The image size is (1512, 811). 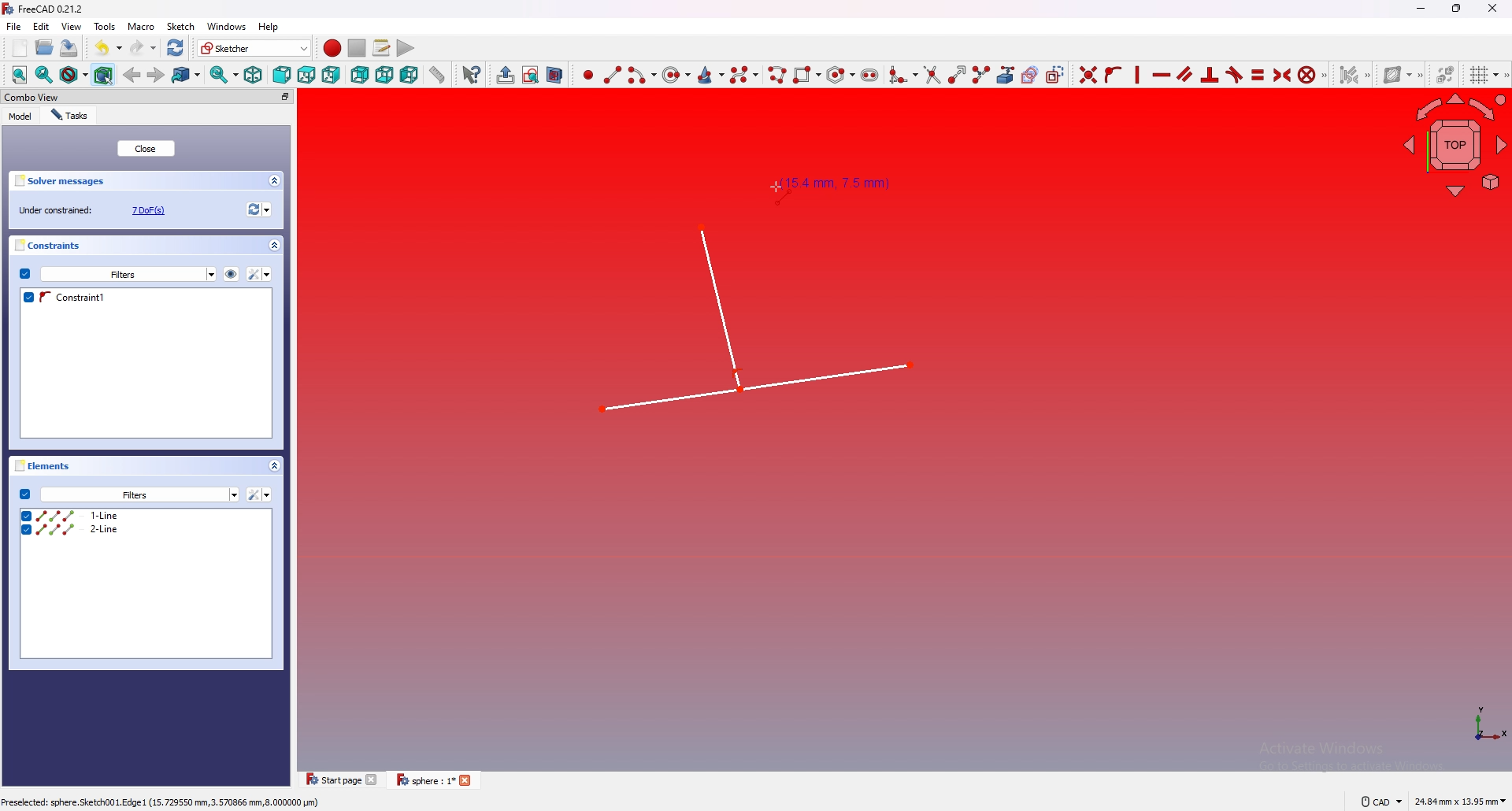 I want to click on Select associated constraints, so click(x=1352, y=75).